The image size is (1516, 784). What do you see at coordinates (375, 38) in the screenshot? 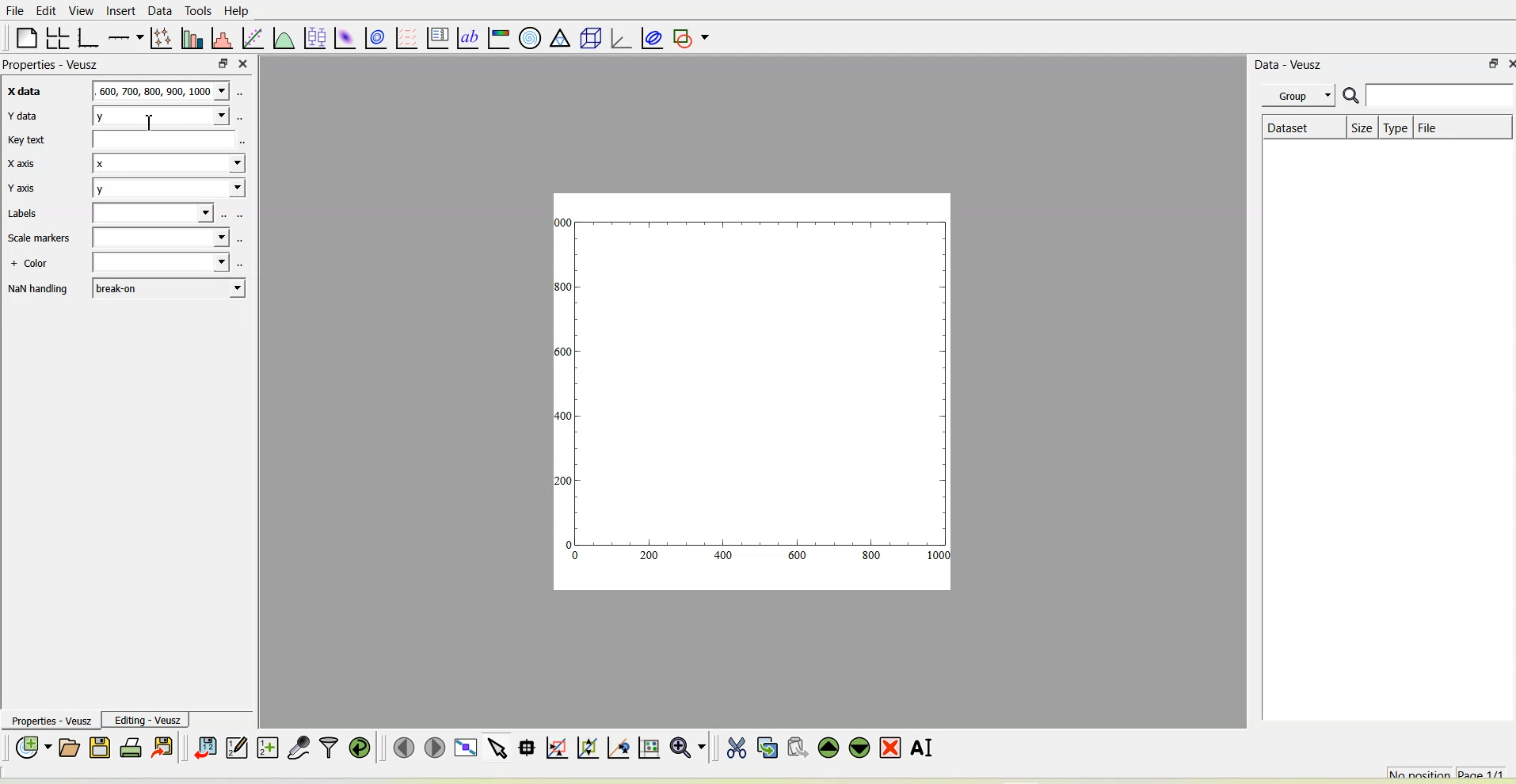
I see `plot a 2d data set with contours` at bounding box center [375, 38].